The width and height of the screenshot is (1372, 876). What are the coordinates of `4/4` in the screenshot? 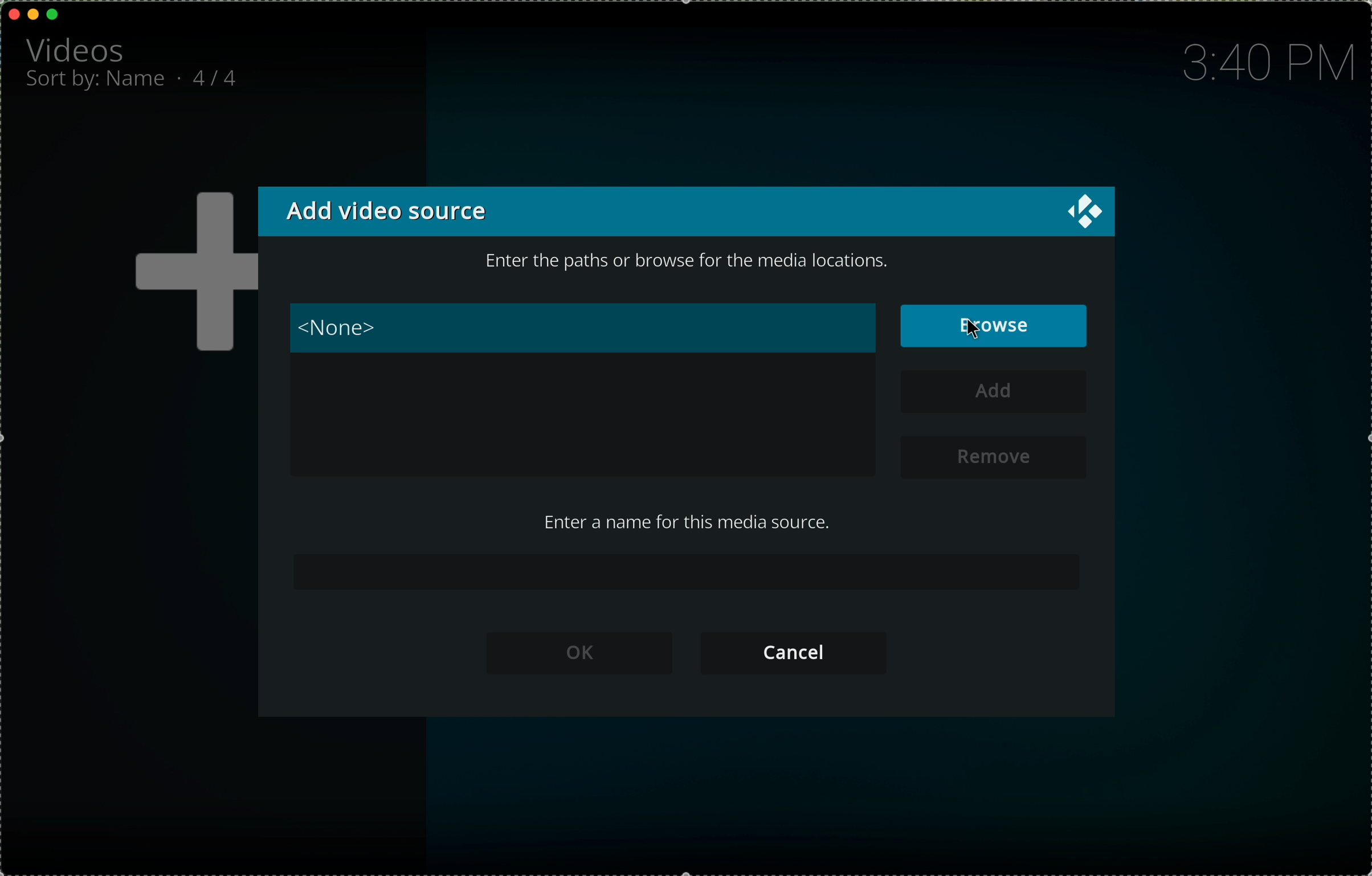 It's located at (220, 76).